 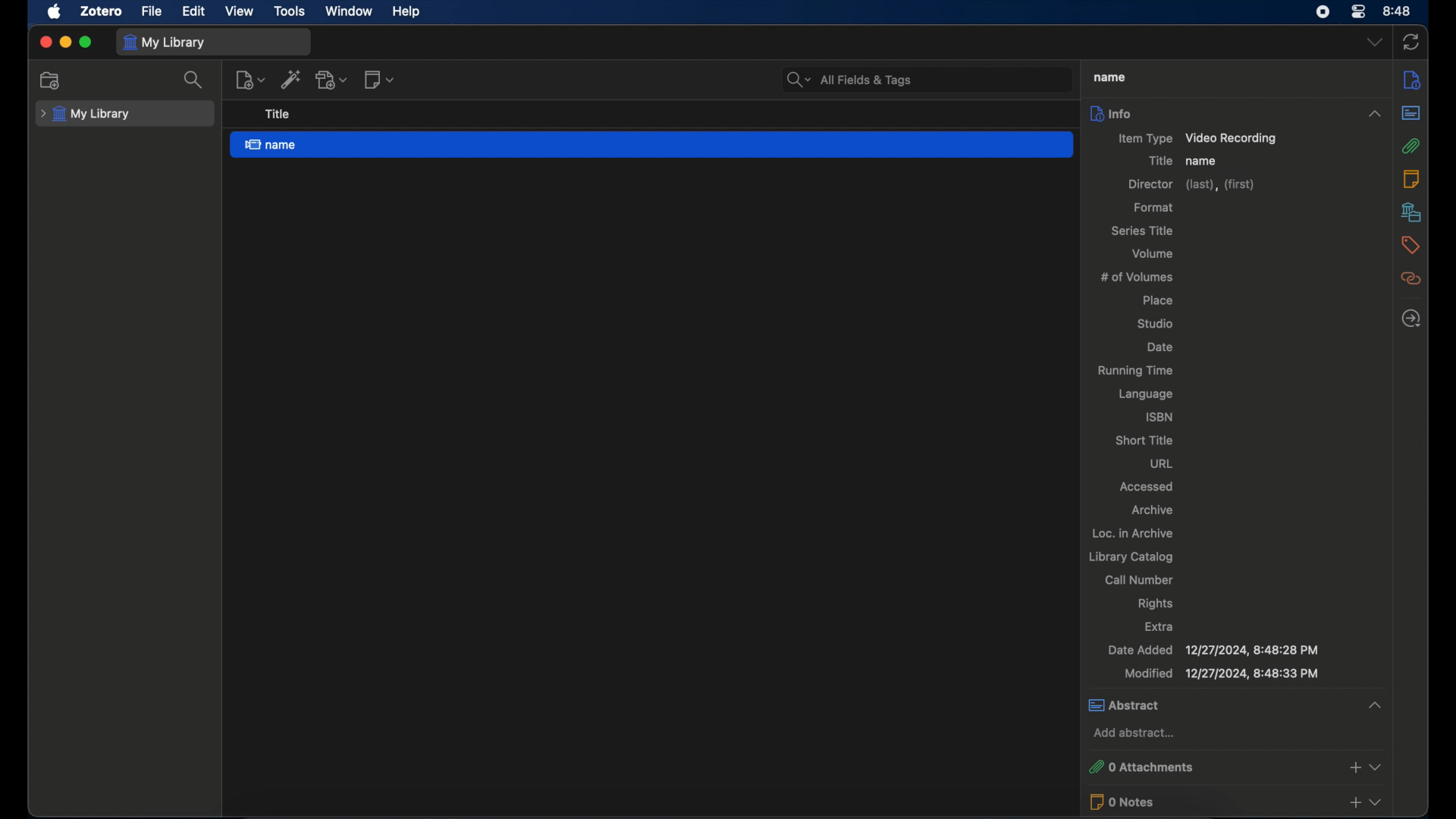 What do you see at coordinates (1237, 113) in the screenshot?
I see `info` at bounding box center [1237, 113].